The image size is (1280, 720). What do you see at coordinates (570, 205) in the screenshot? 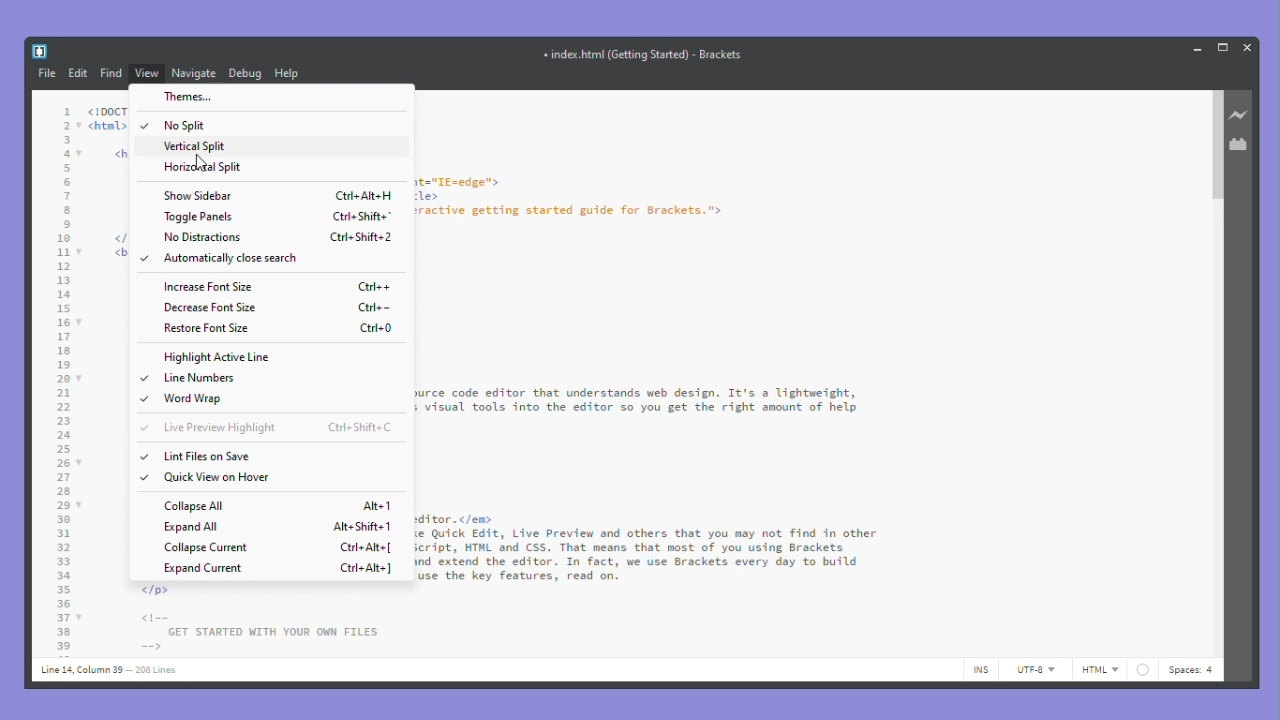
I see `<head><meta charset="utf-8"><meta http-equiv="X-UA-Compatible" content="IE=edge"><title>GETTING STARTED WITH BRACKETS</title><meta name="description” content="An interactive getting started guide for Brackets."><link rel="stylesheet" href="nain.css"></head><body>` at bounding box center [570, 205].